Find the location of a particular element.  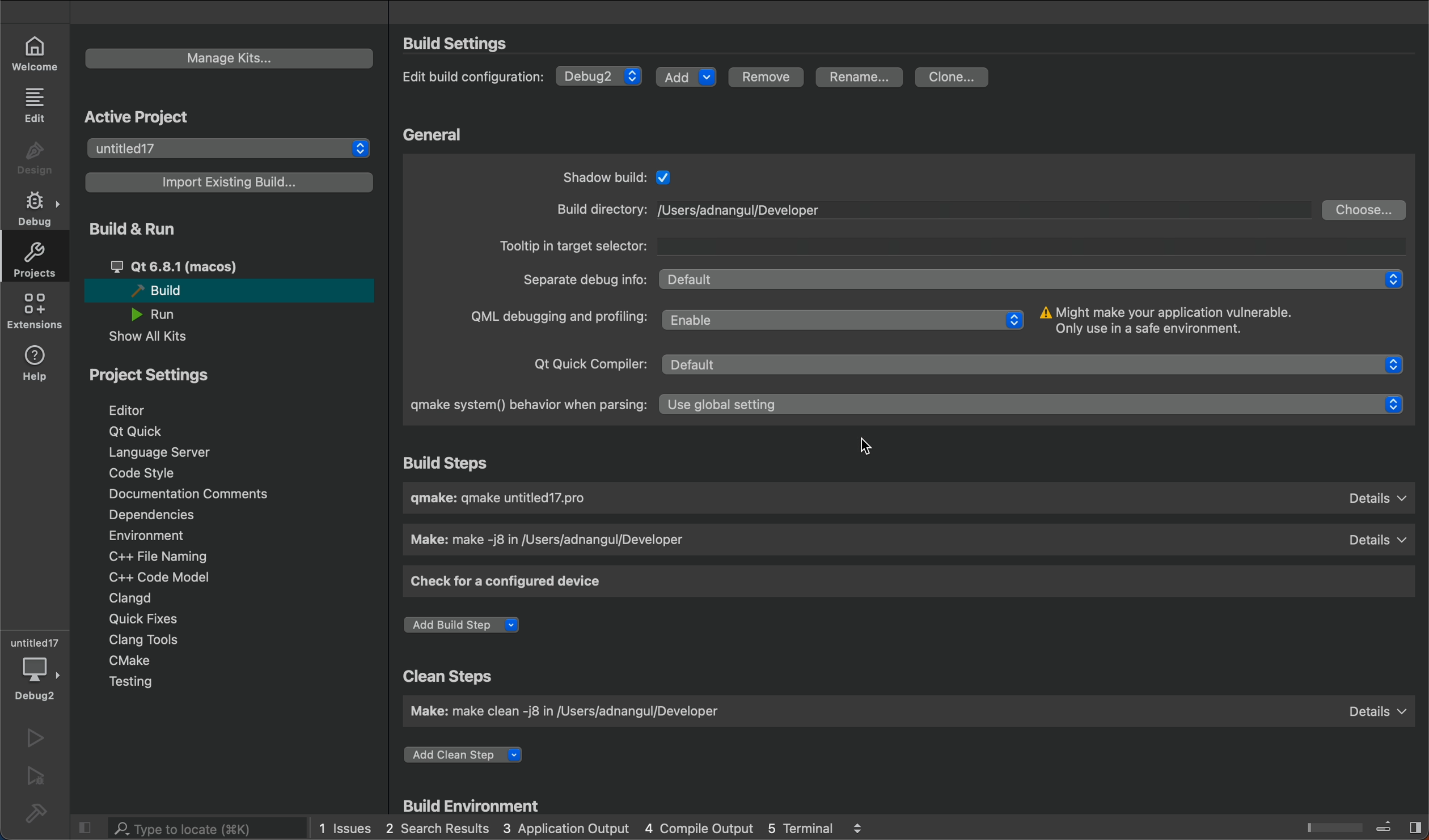

quick fixes is located at coordinates (151, 617).